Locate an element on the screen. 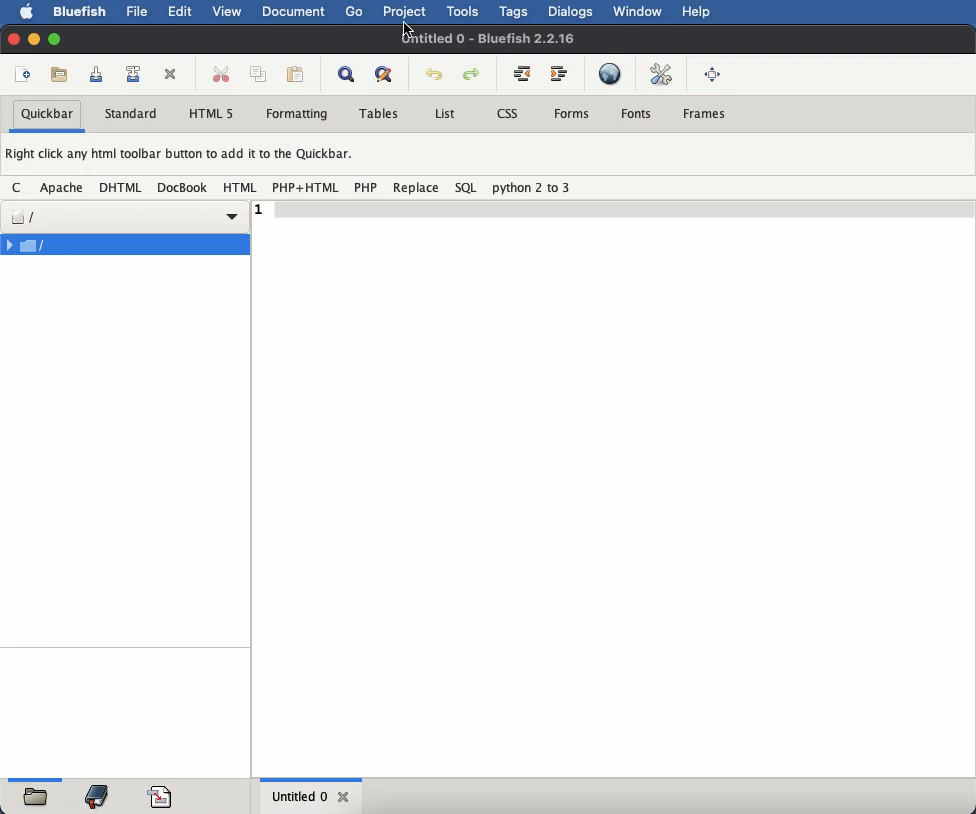 This screenshot has width=976, height=814. css is located at coordinates (507, 114).